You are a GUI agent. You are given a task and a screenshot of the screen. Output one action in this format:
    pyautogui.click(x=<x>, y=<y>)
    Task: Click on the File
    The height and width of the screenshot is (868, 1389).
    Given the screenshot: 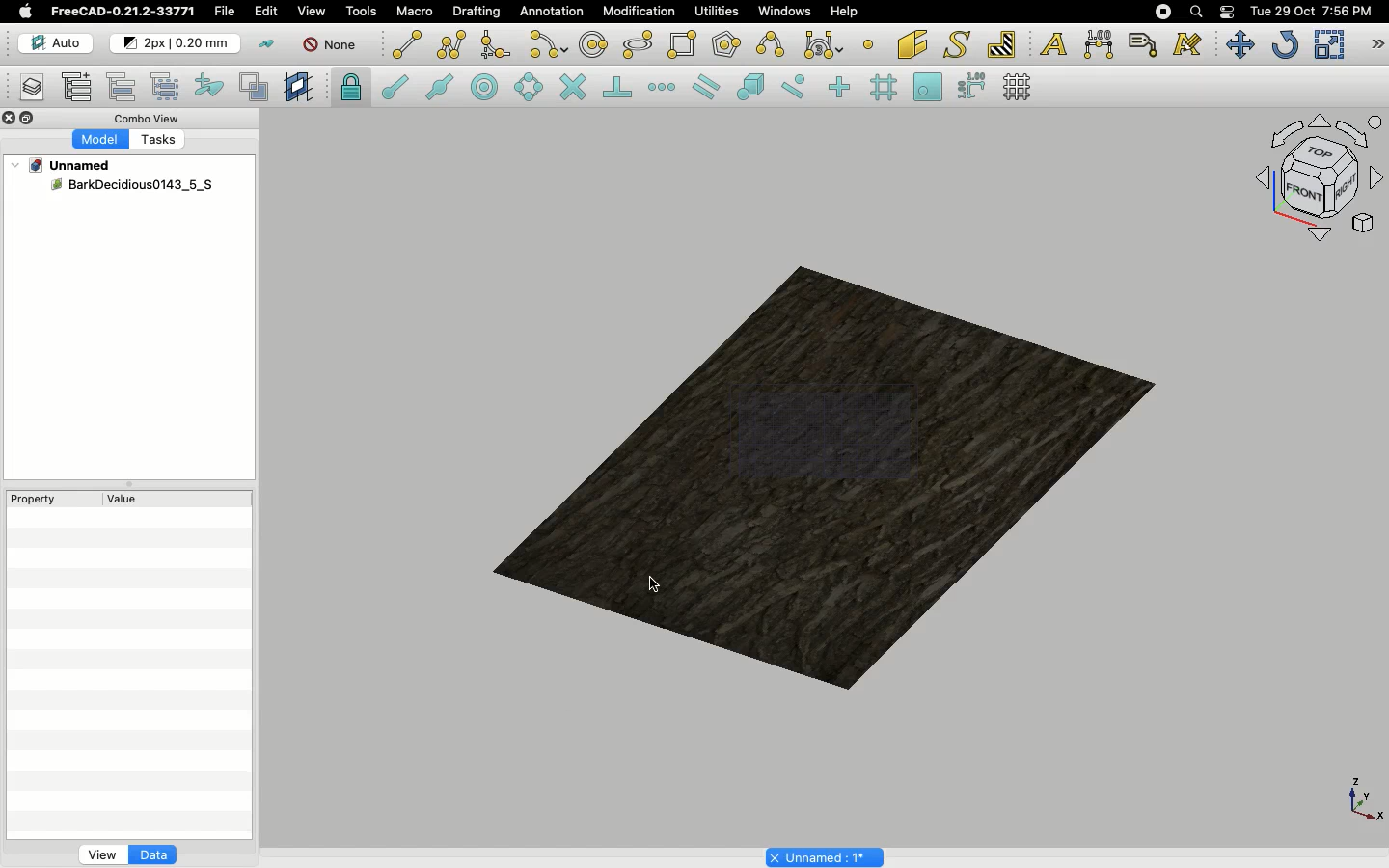 What is the action you would take?
    pyautogui.click(x=225, y=12)
    